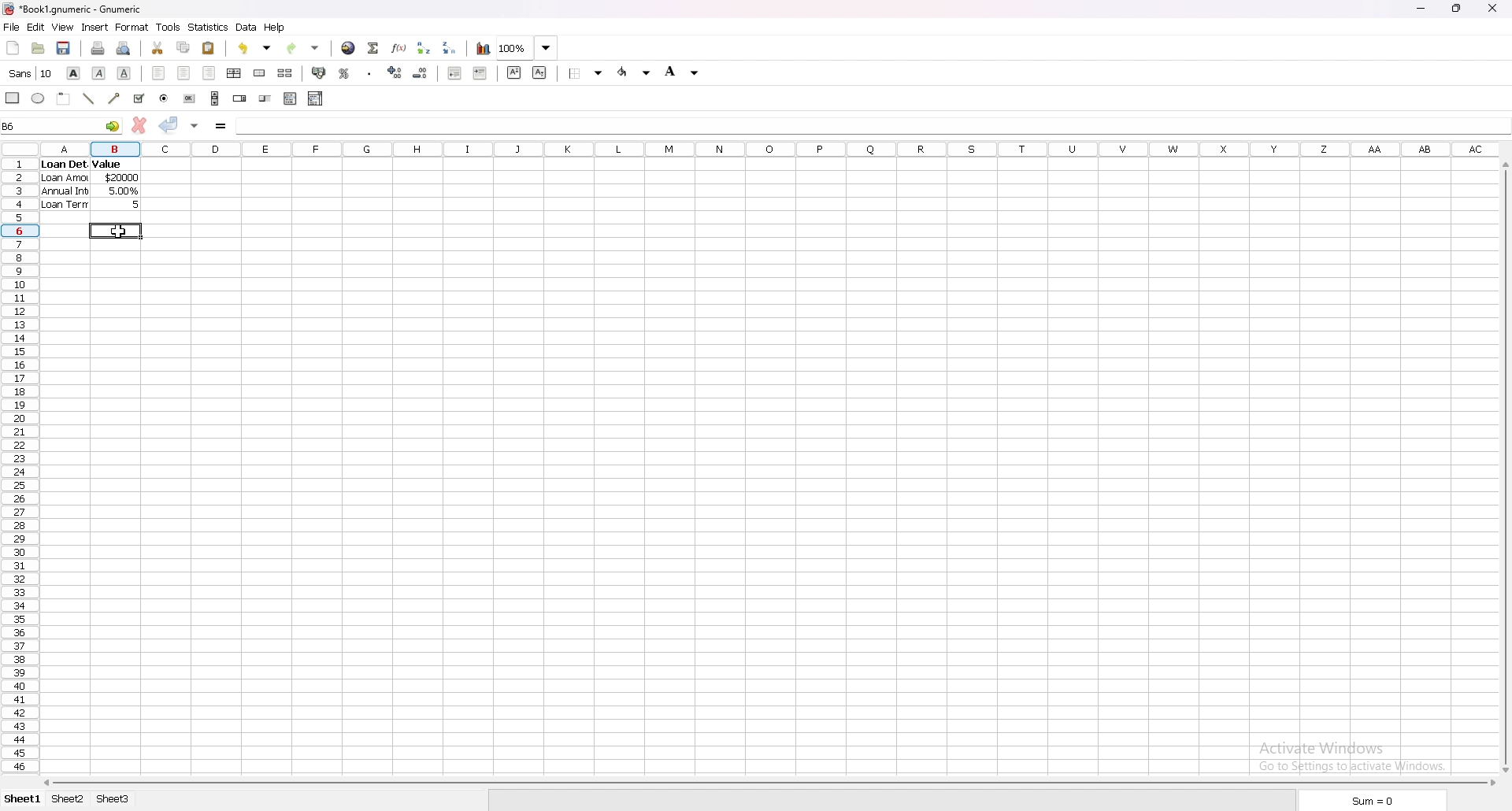 The height and width of the screenshot is (811, 1512). What do you see at coordinates (139, 124) in the screenshot?
I see `cancel change` at bounding box center [139, 124].